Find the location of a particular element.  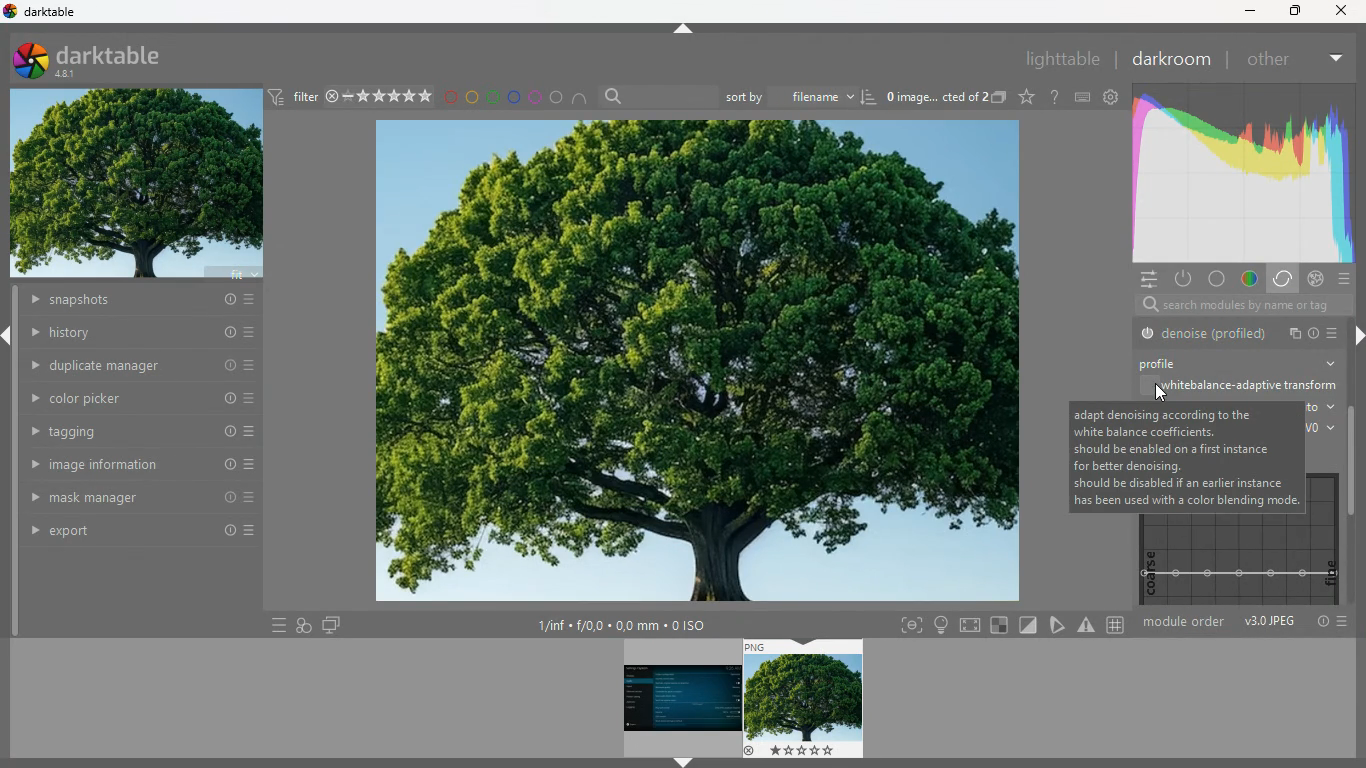

image is located at coordinates (140, 185).